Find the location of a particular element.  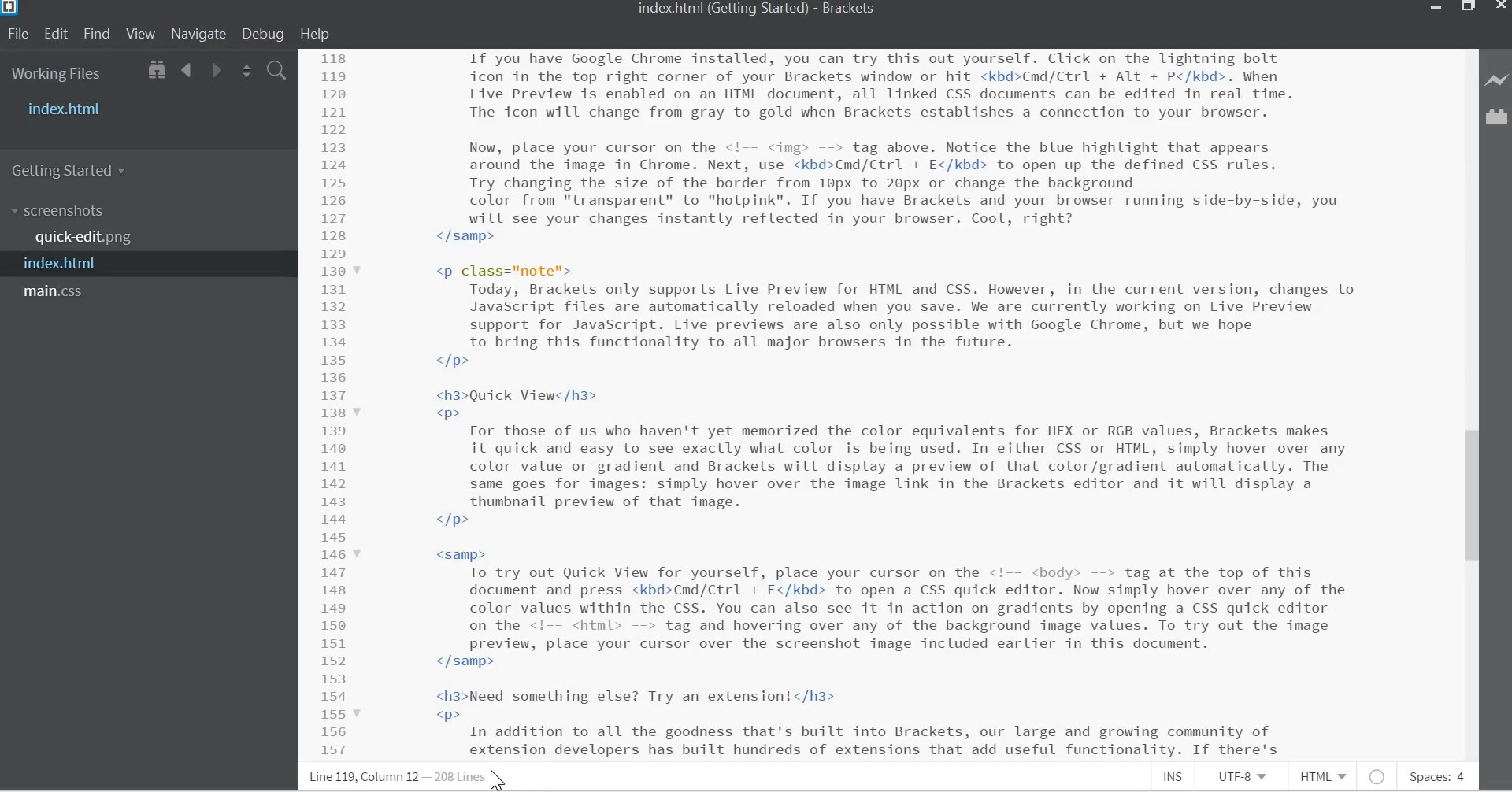

Working Files is located at coordinates (59, 76).